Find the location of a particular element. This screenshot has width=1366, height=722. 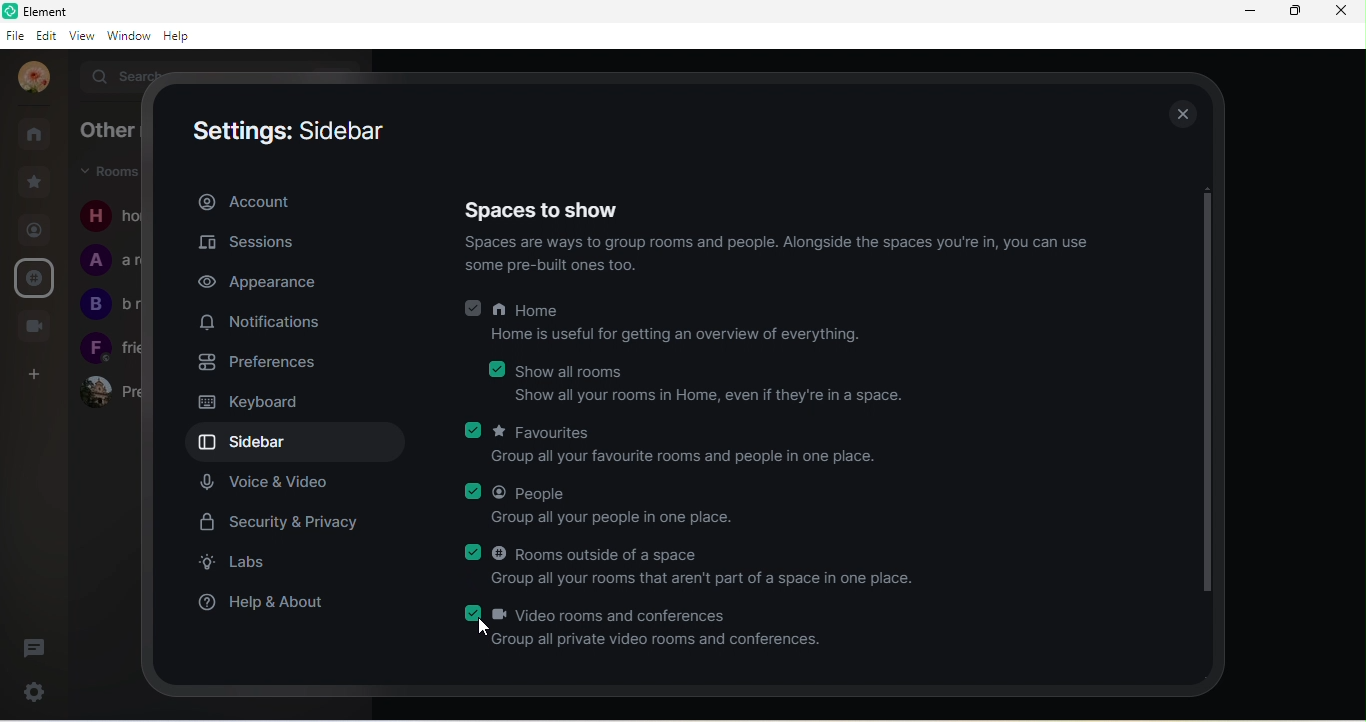

maximize is located at coordinates (1294, 14).